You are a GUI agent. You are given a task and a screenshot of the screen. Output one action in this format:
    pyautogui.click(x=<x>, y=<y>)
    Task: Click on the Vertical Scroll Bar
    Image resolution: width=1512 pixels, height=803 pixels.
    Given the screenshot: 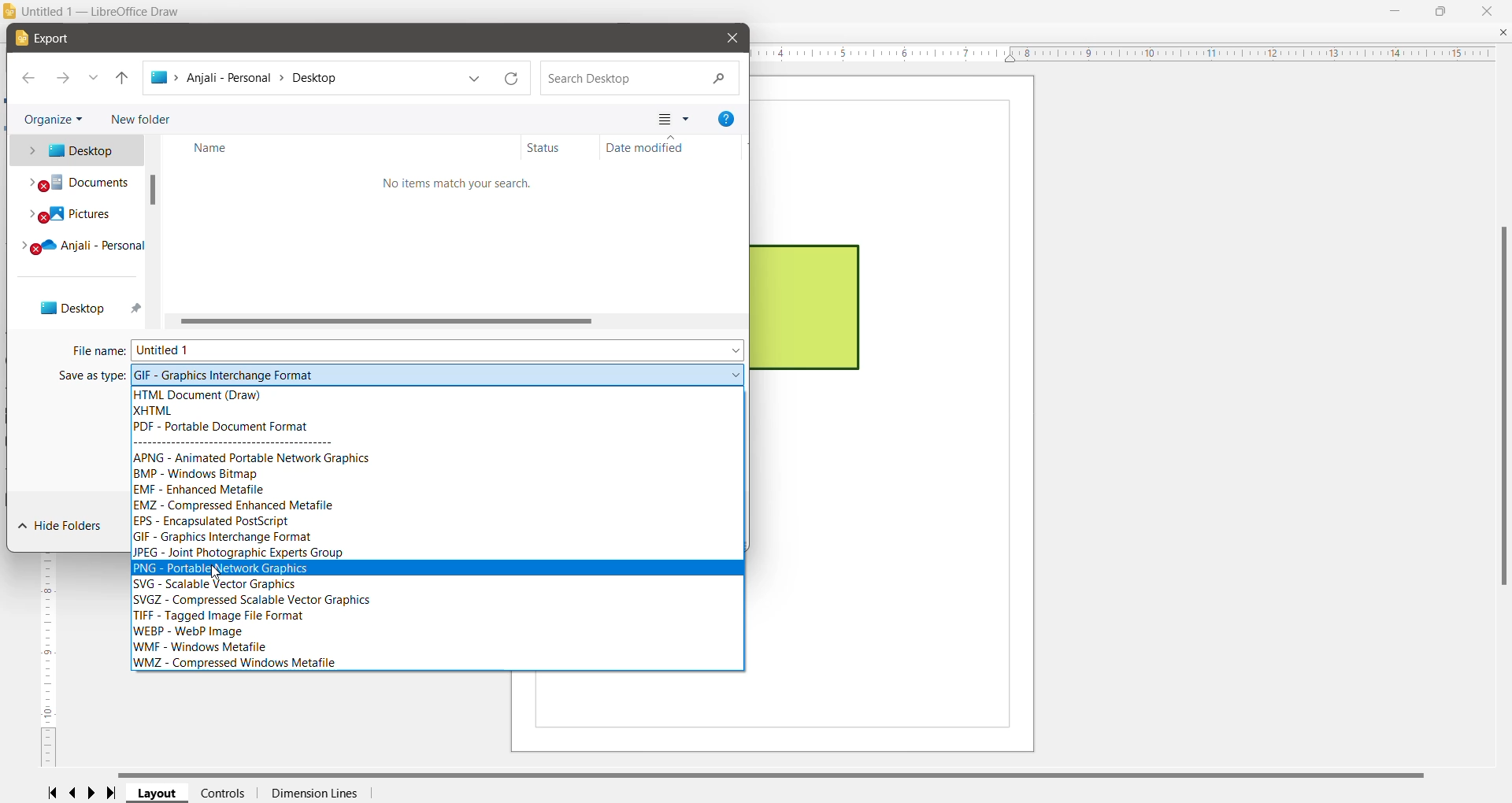 What is the action you would take?
    pyautogui.click(x=1501, y=405)
    